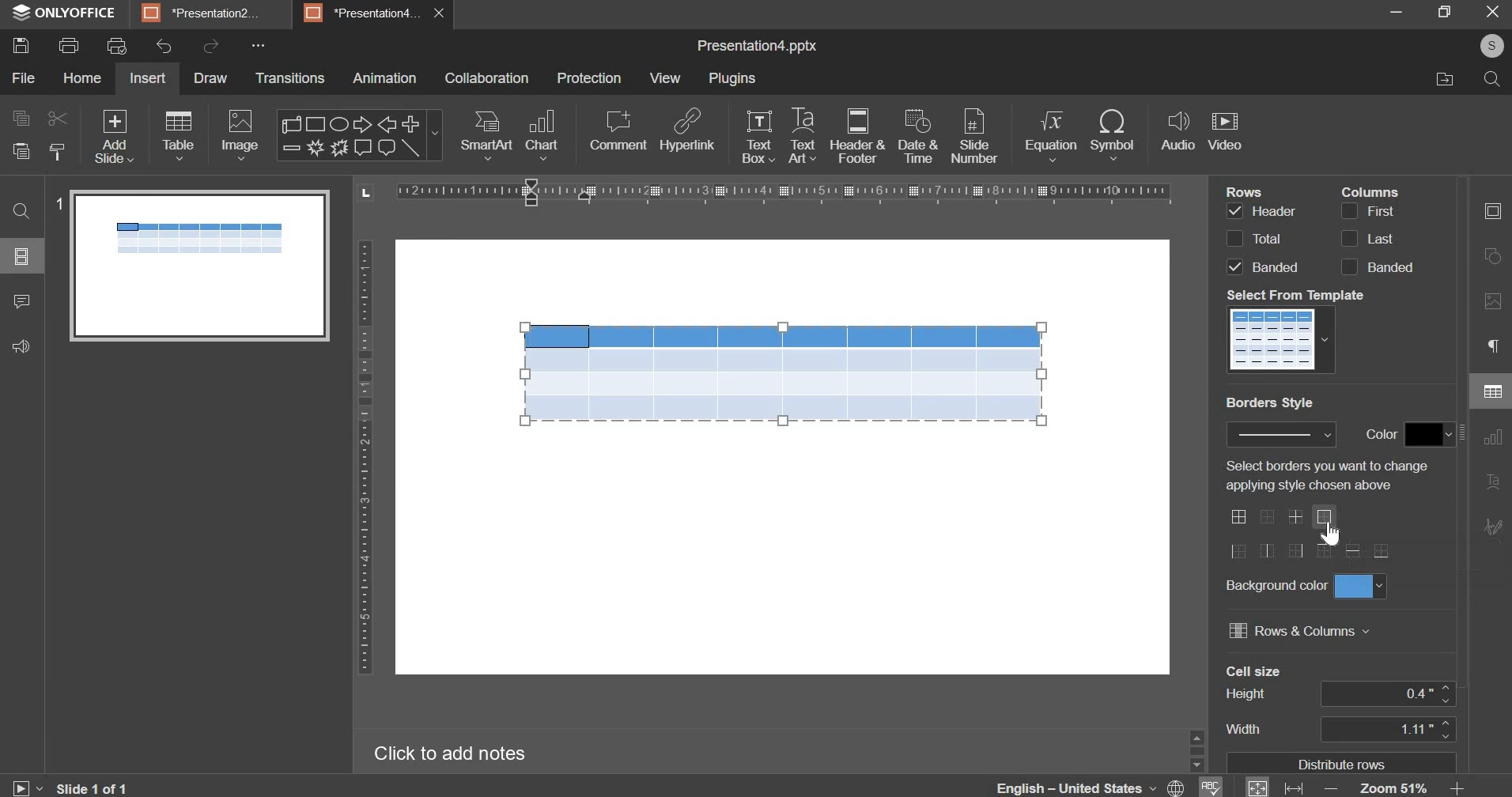  I want to click on search, so click(1491, 80).